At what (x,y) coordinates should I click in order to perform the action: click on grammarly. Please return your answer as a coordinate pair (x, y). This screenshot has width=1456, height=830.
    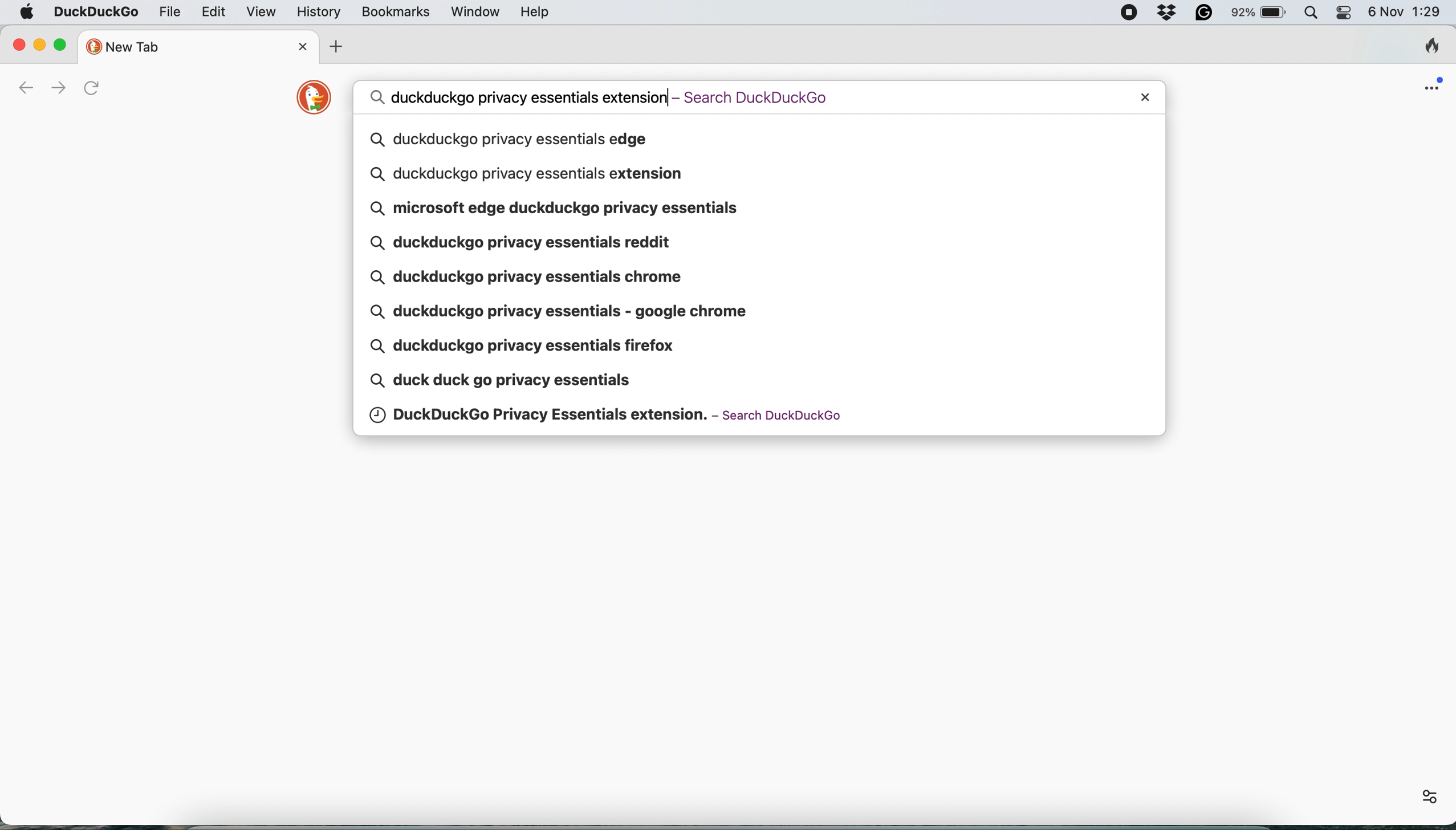
    Looking at the image, I should click on (1209, 13).